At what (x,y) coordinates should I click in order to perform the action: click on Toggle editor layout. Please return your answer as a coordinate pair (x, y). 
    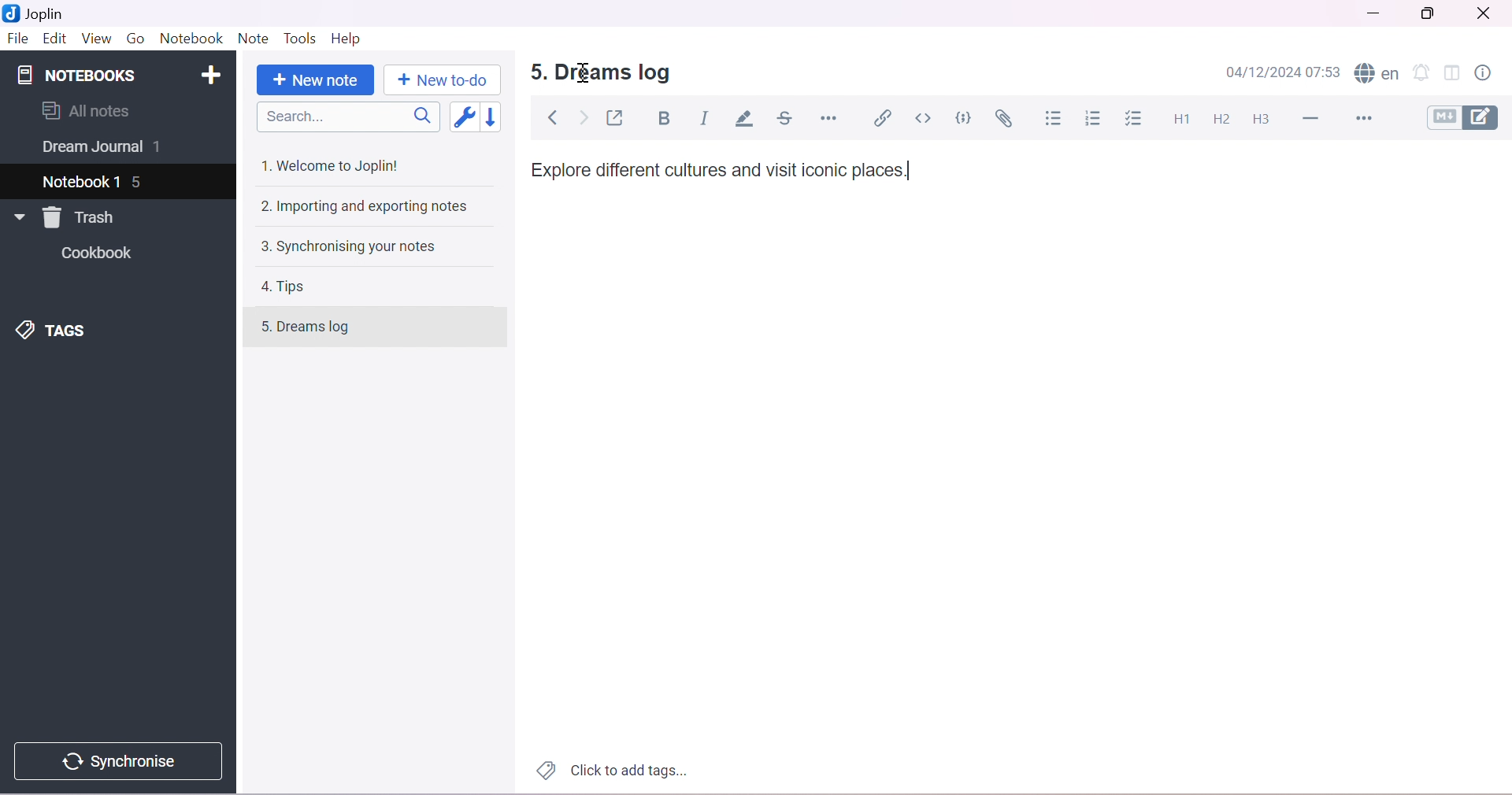
    Looking at the image, I should click on (1455, 72).